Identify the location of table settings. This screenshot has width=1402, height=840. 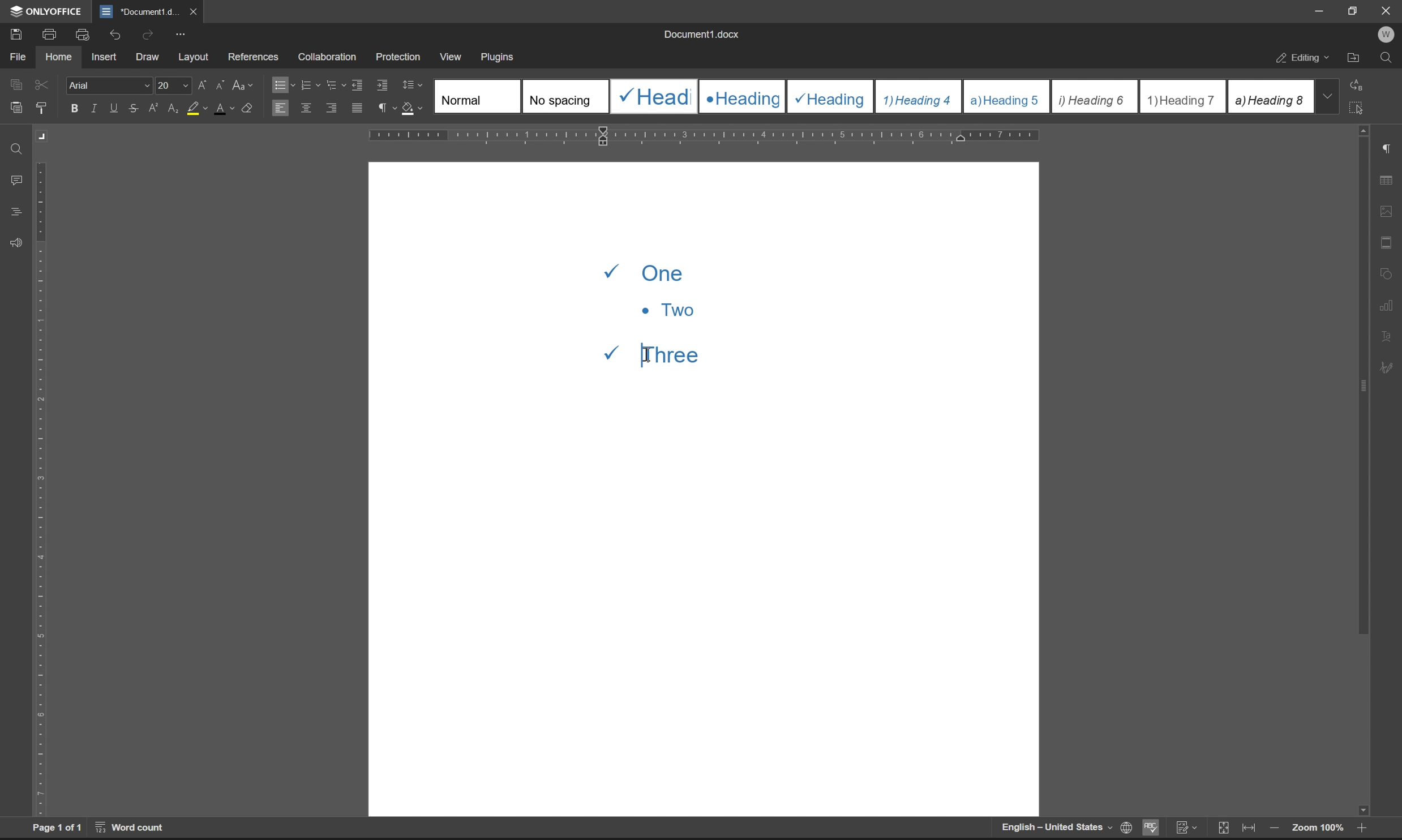
(1386, 181).